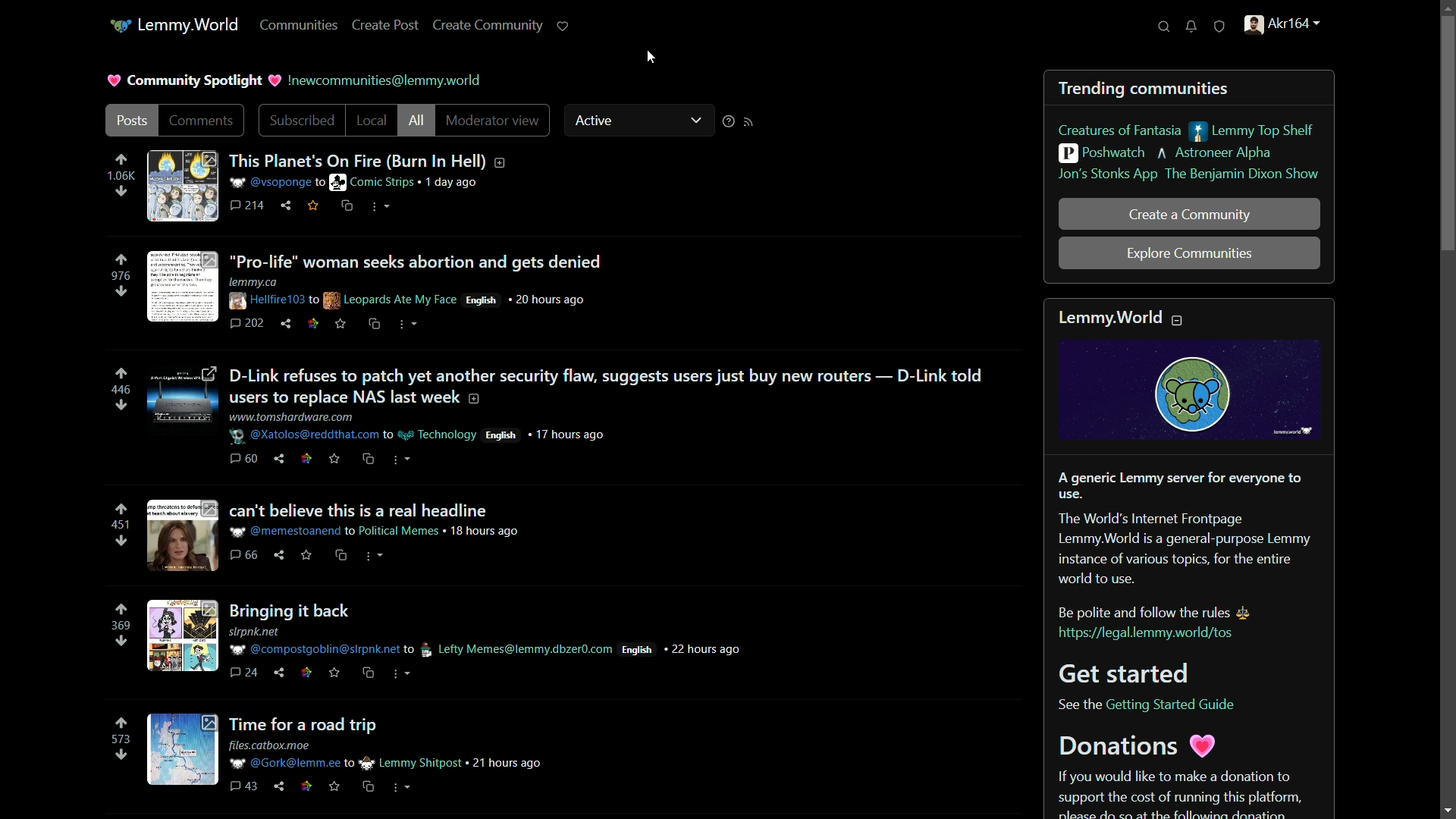 This screenshot has height=819, width=1456. Describe the element at coordinates (120, 391) in the screenshot. I see `number of votes` at that location.